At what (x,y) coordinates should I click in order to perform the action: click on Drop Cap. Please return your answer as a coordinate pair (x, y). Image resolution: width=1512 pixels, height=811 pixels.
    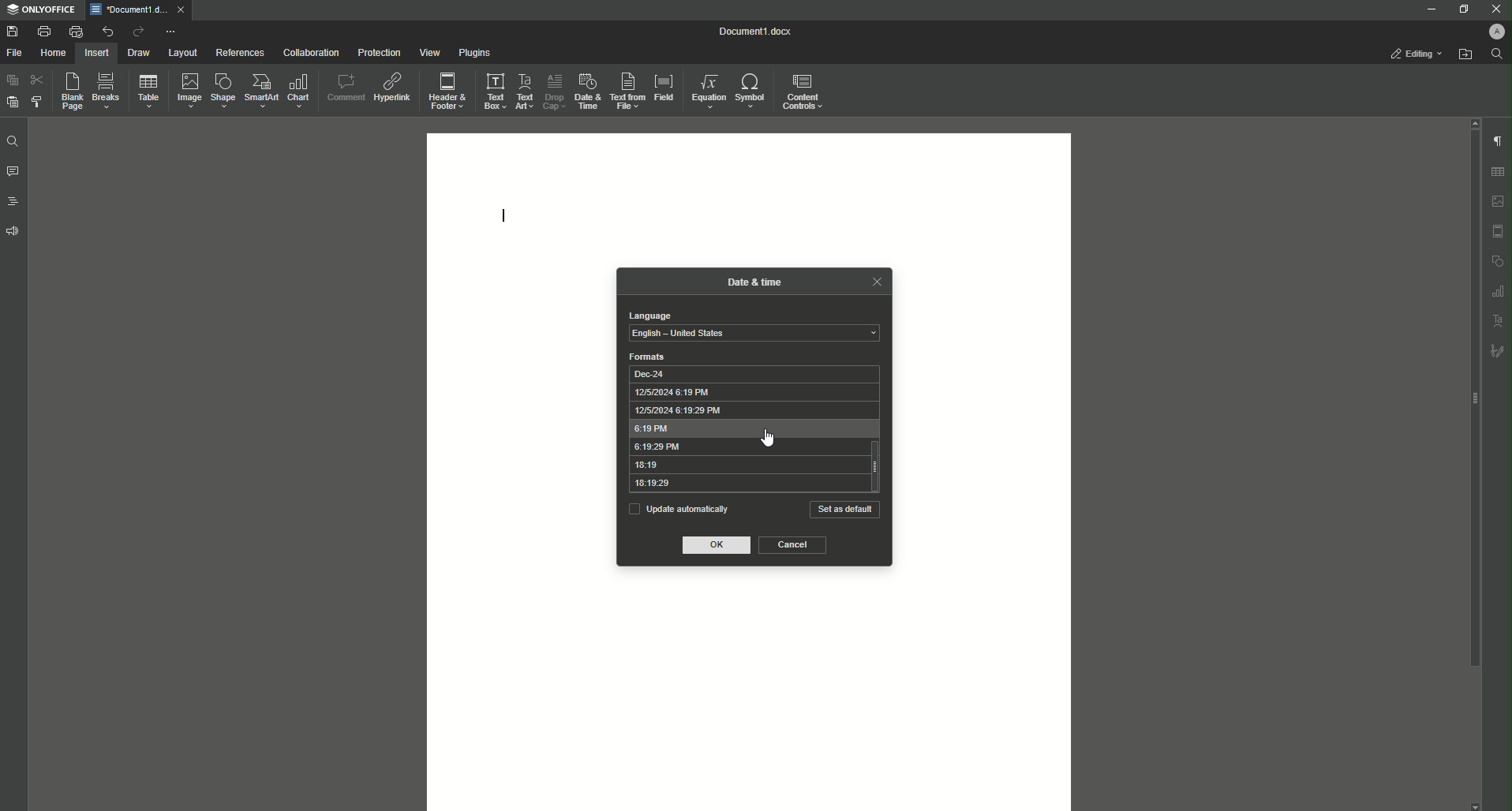
    Looking at the image, I should click on (553, 90).